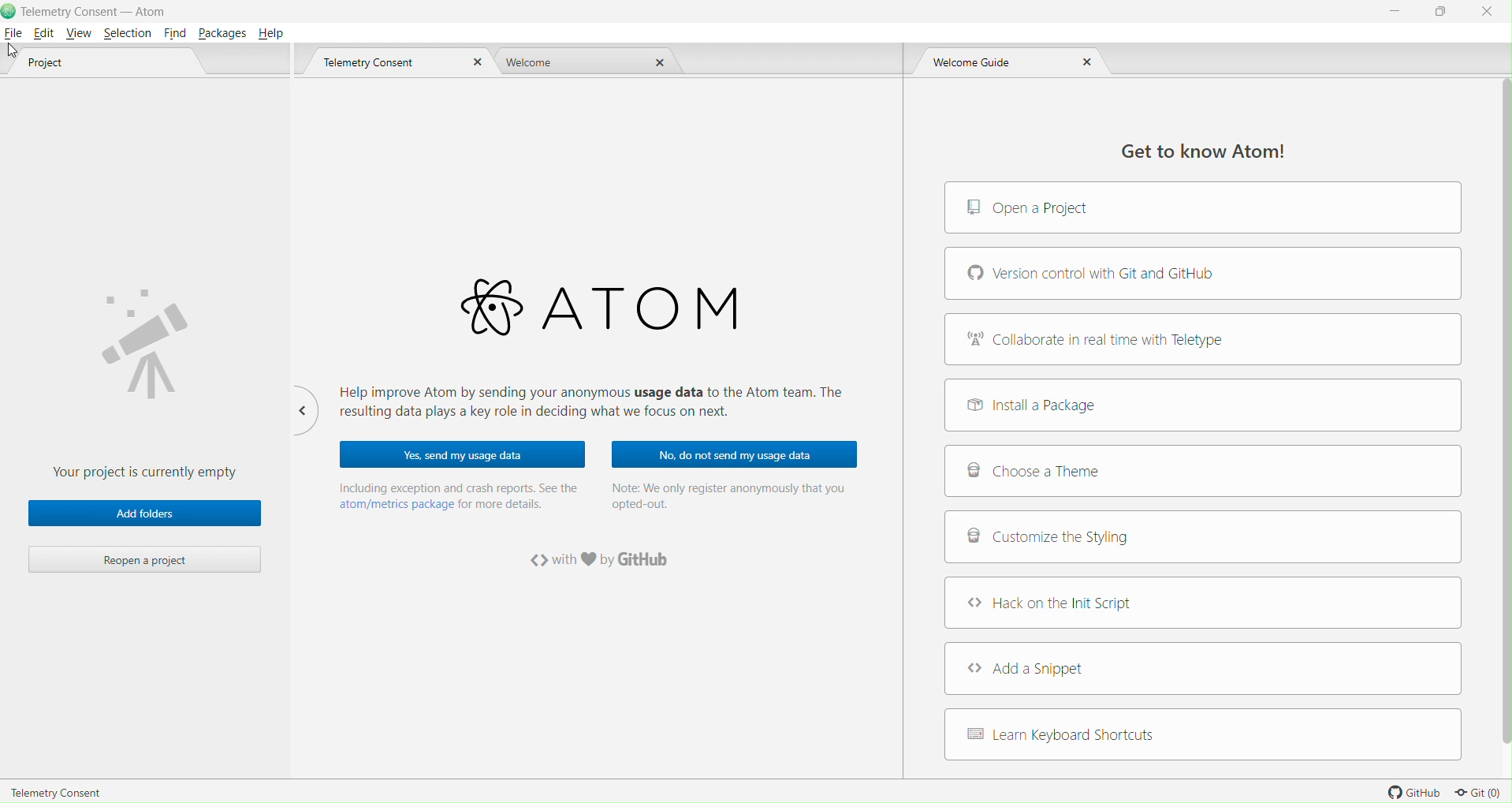 The image size is (1512, 803). I want to click on Your project is currently empty, so click(147, 373).